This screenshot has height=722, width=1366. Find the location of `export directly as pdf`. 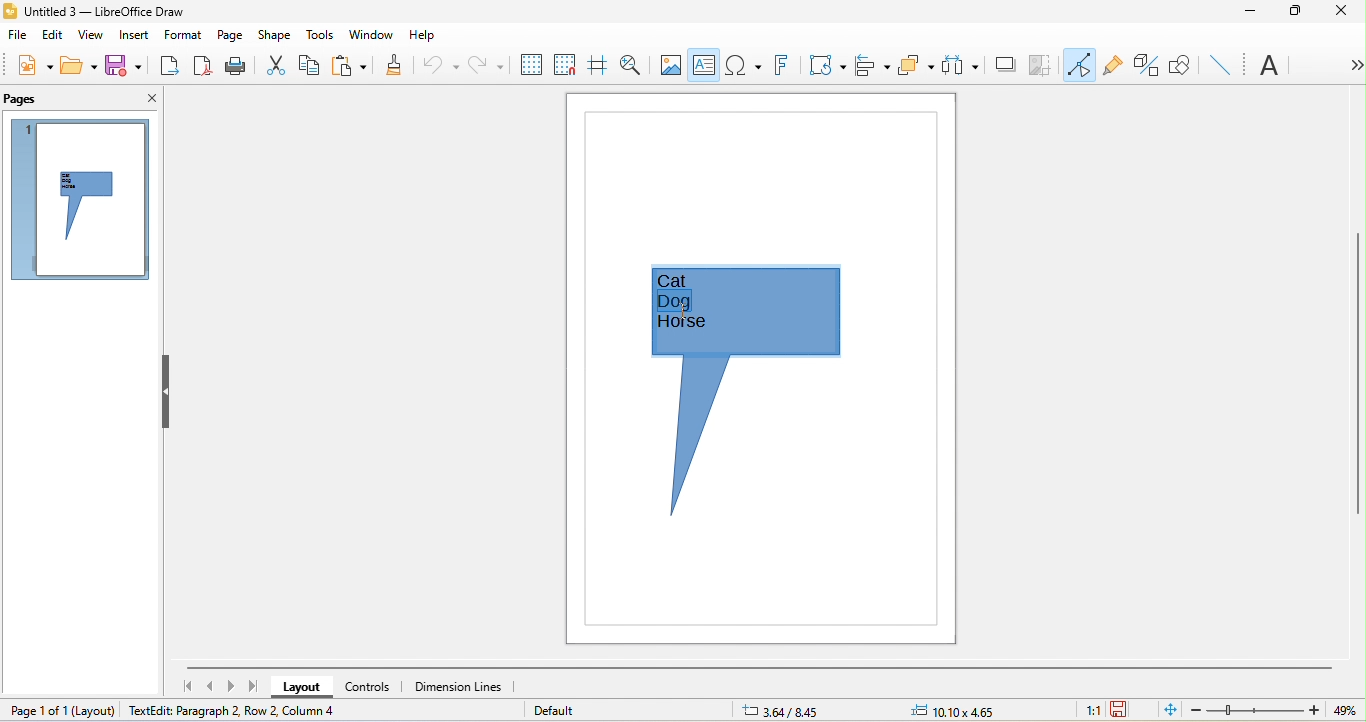

export directly as pdf is located at coordinates (203, 68).